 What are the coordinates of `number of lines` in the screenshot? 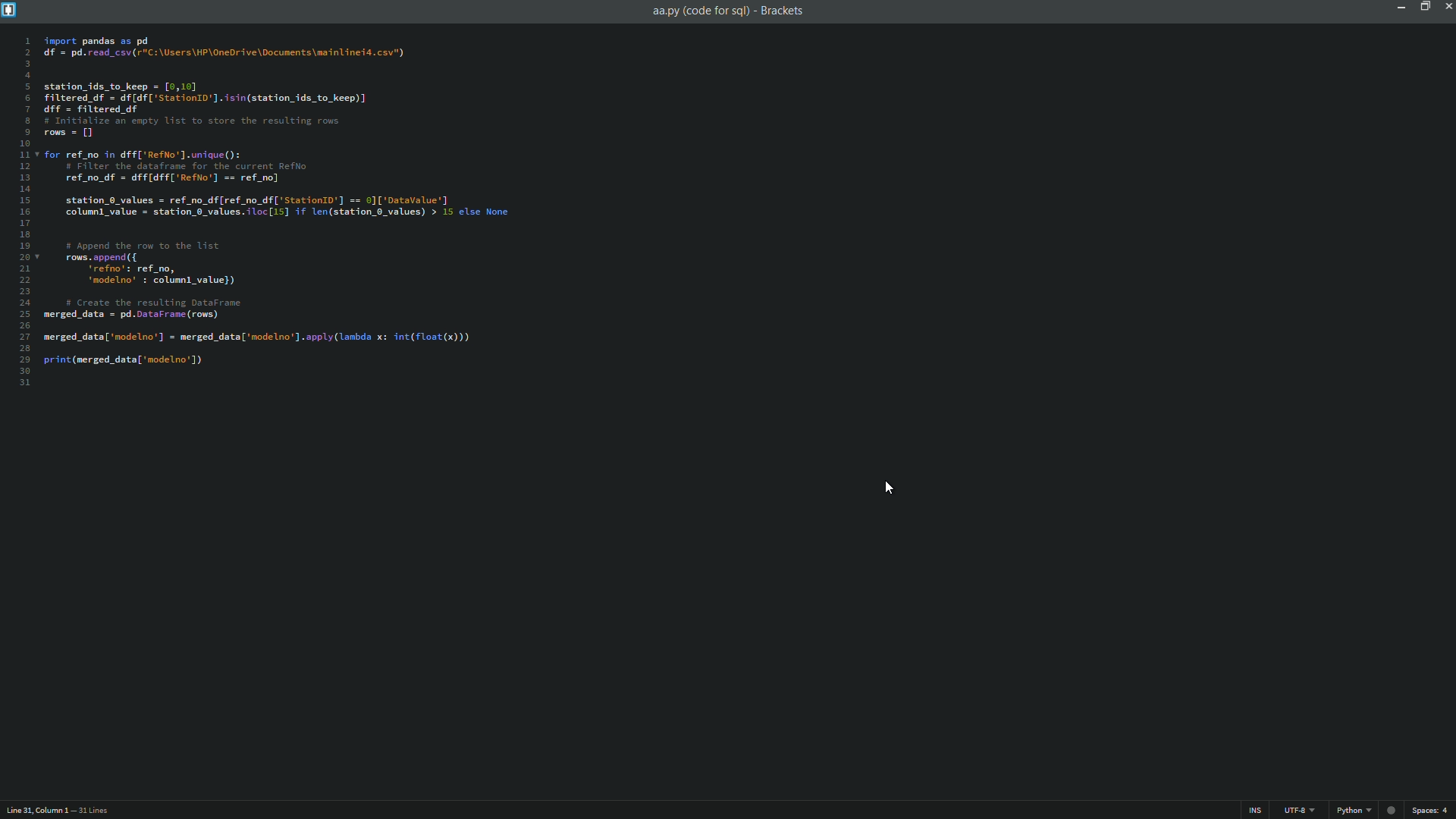 It's located at (93, 812).